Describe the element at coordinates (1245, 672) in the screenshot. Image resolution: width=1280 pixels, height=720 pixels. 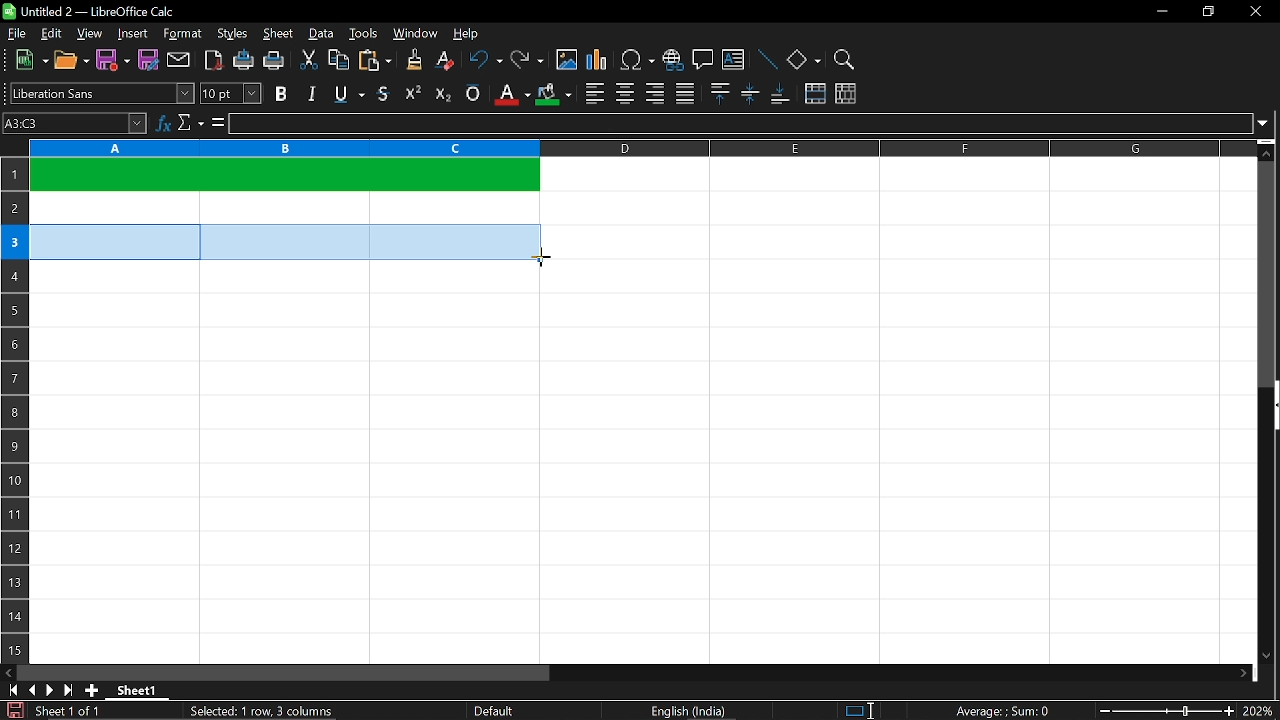
I see `move right` at that location.